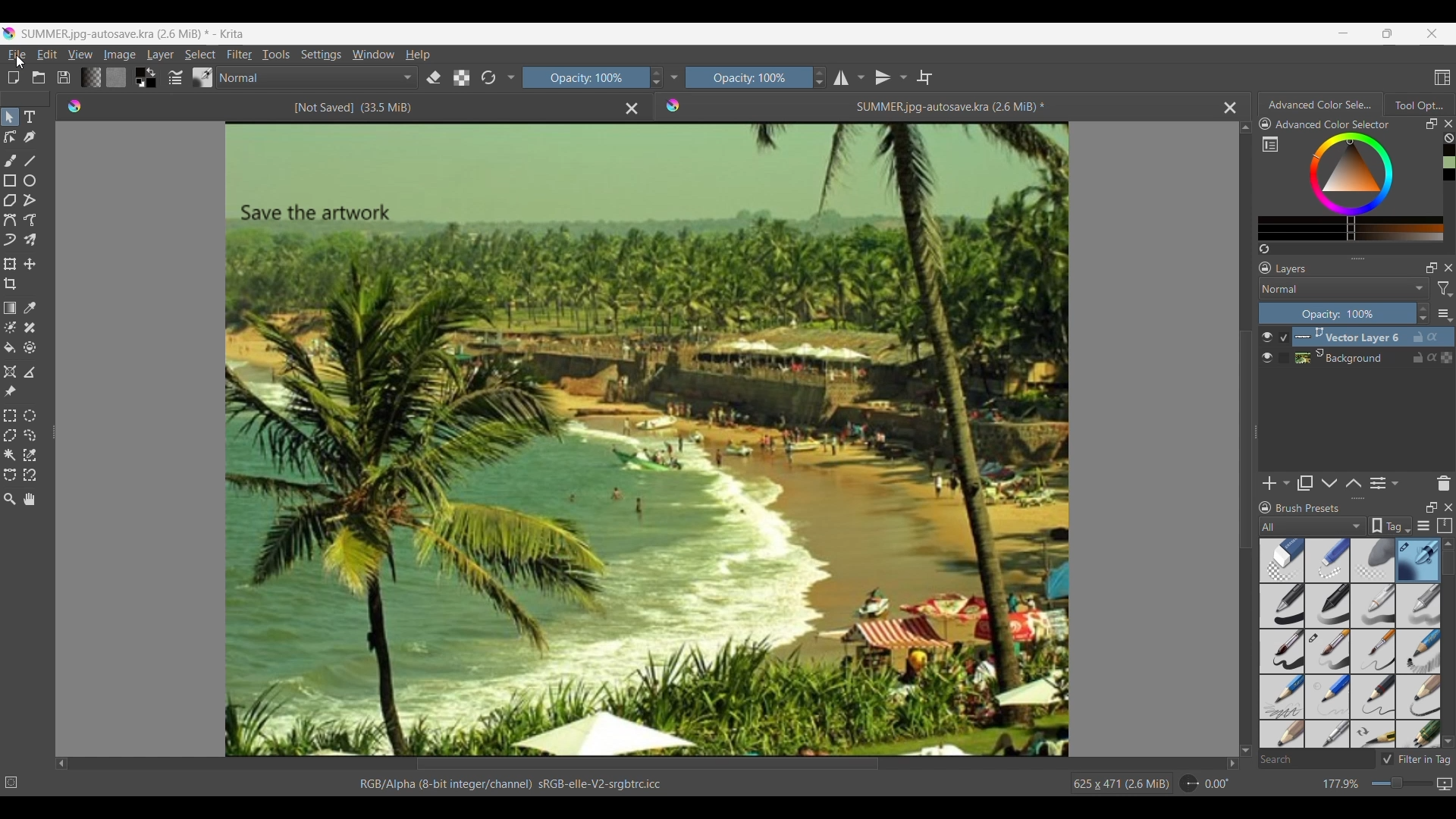 The width and height of the screenshot is (1456, 819). I want to click on Tools, so click(276, 55).